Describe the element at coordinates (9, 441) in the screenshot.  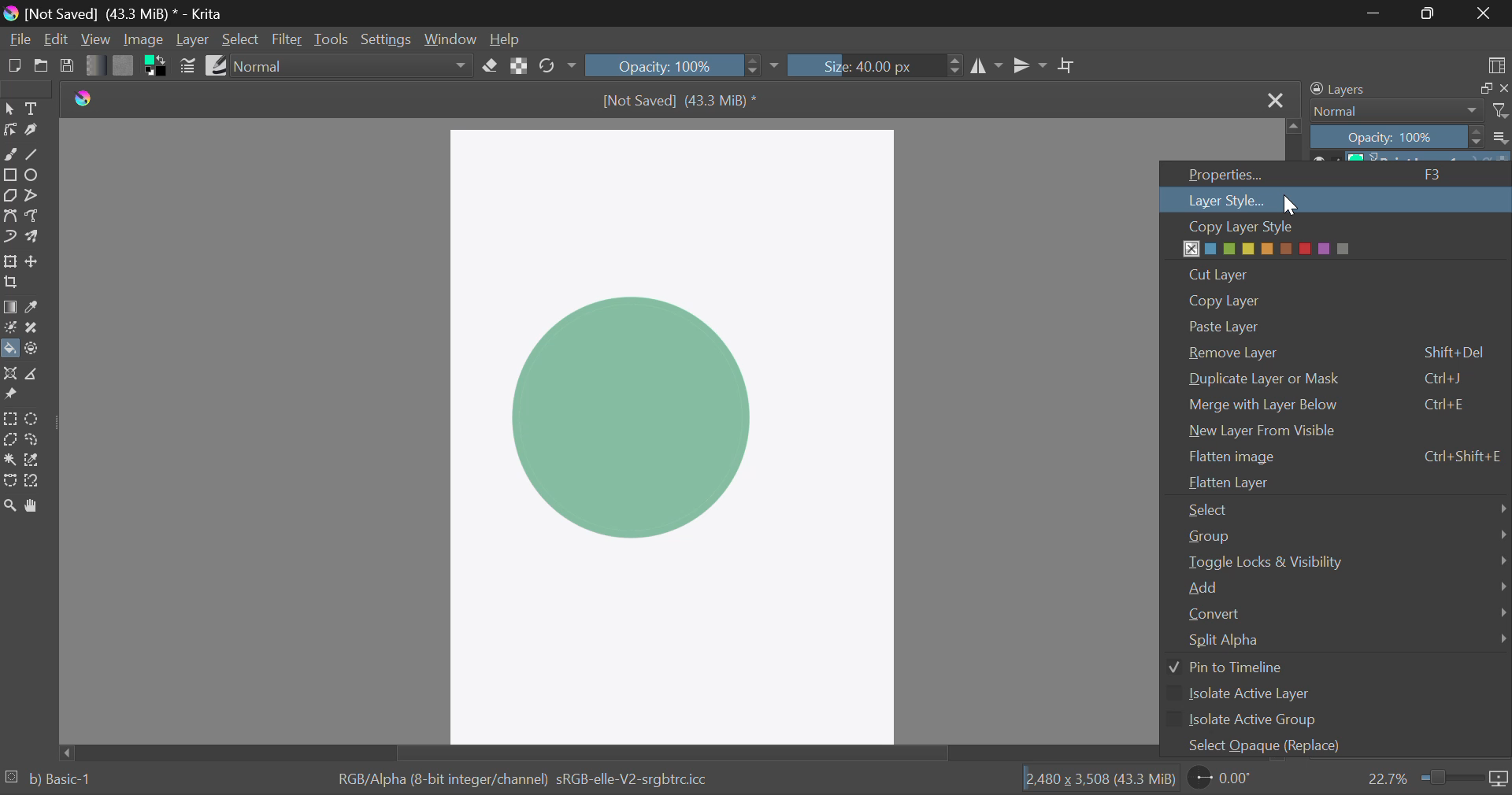
I see `Polygon Selection` at that location.